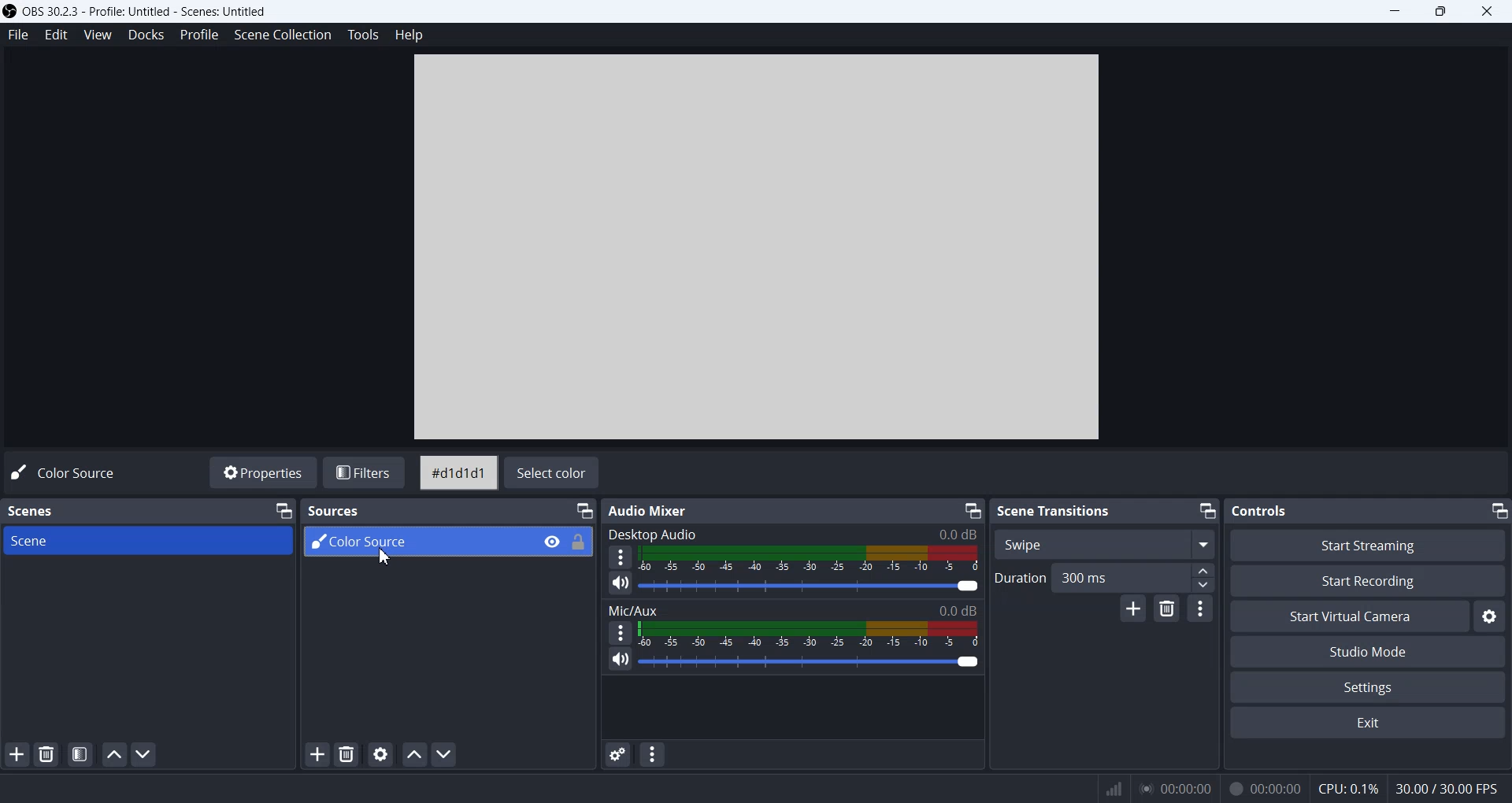 The width and height of the screenshot is (1512, 803). I want to click on View, so click(97, 34).